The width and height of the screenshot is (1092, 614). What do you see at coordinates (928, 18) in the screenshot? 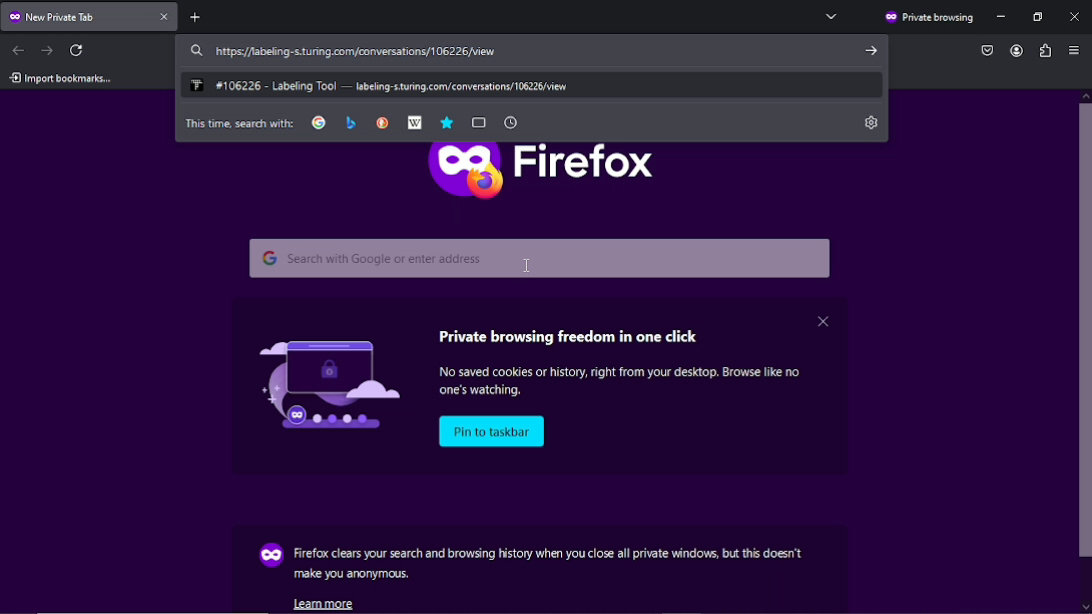
I see `private browsing` at bounding box center [928, 18].